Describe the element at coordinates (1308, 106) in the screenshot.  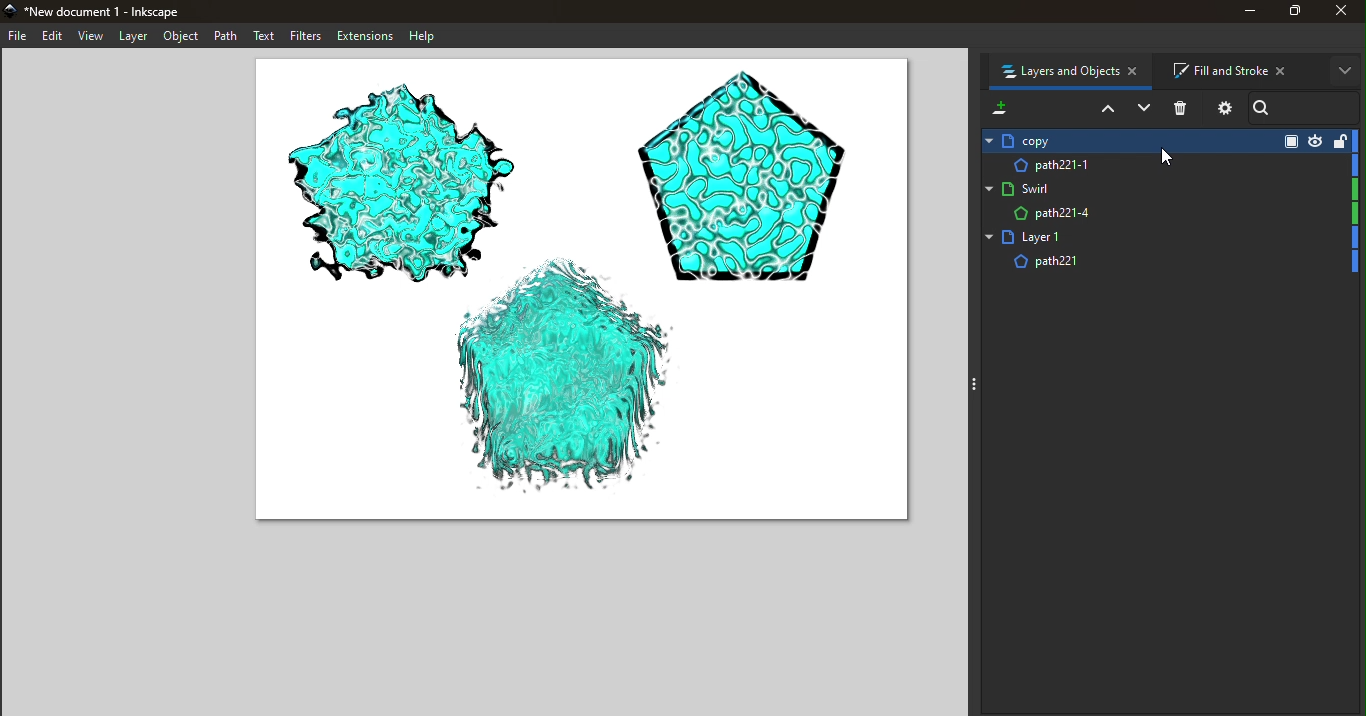
I see `Search bar` at that location.